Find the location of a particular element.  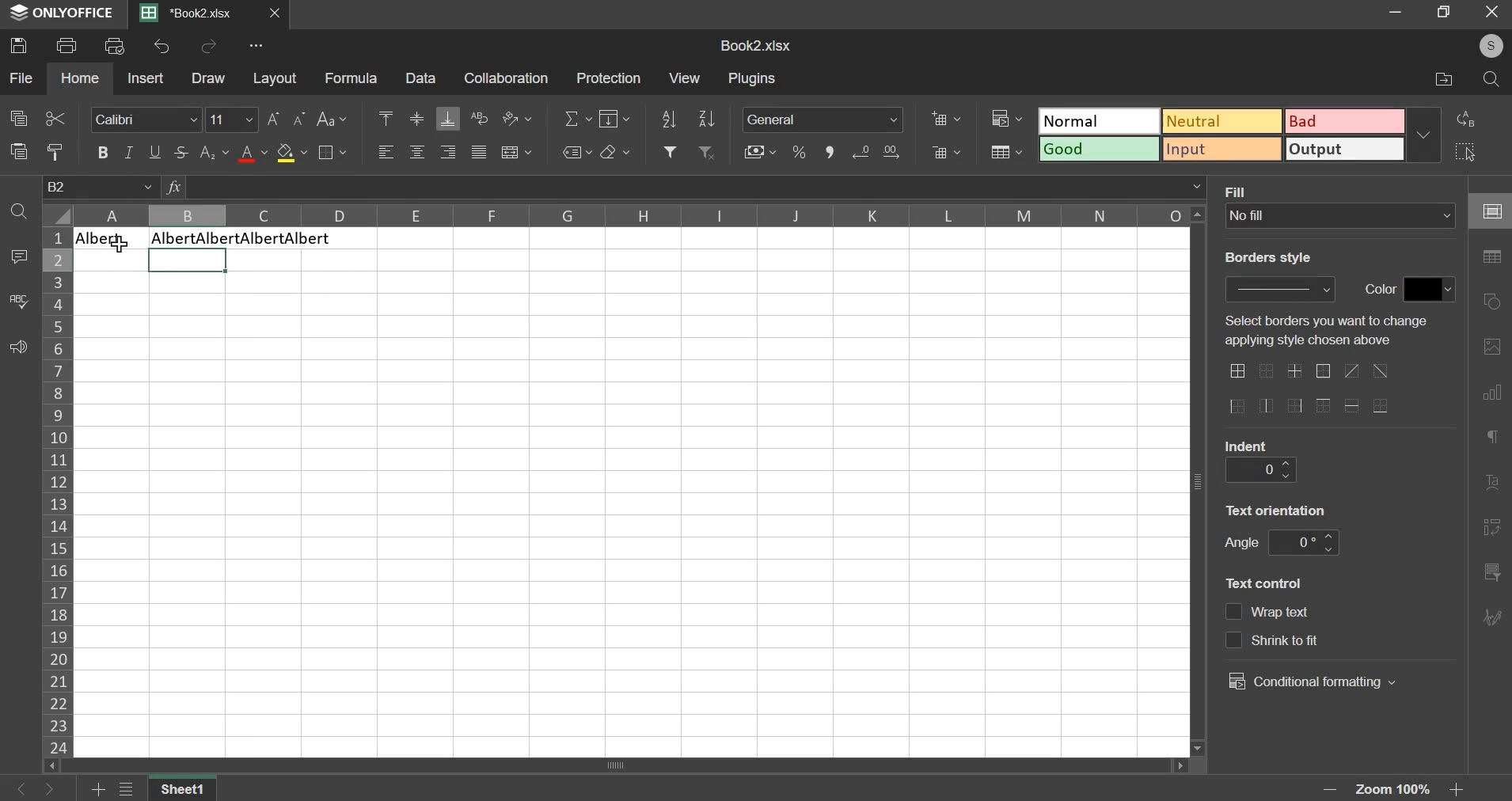

conditional formatting is located at coordinates (1316, 682).